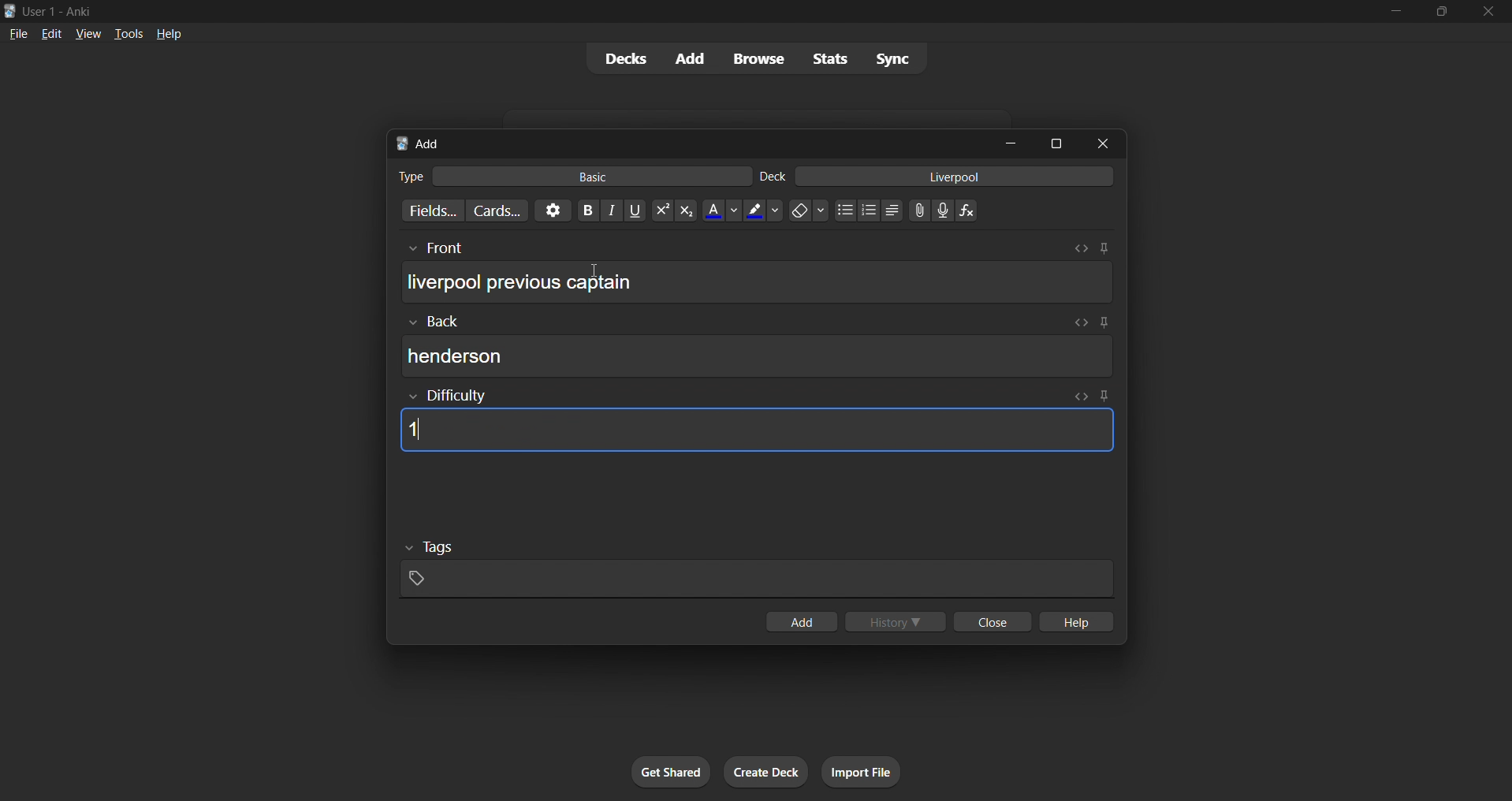 The width and height of the screenshot is (1512, 801). Describe the element at coordinates (587, 209) in the screenshot. I see `Bold` at that location.